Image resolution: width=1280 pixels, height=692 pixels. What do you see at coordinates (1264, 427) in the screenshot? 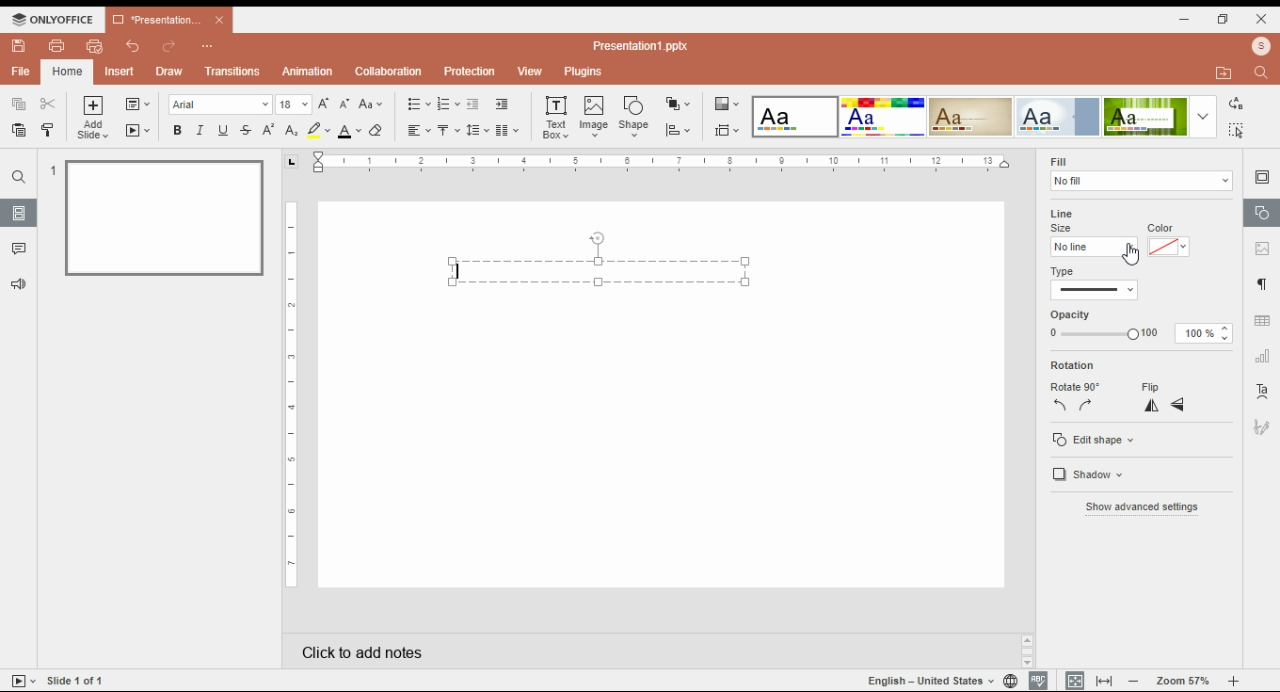
I see `signature settings` at bounding box center [1264, 427].